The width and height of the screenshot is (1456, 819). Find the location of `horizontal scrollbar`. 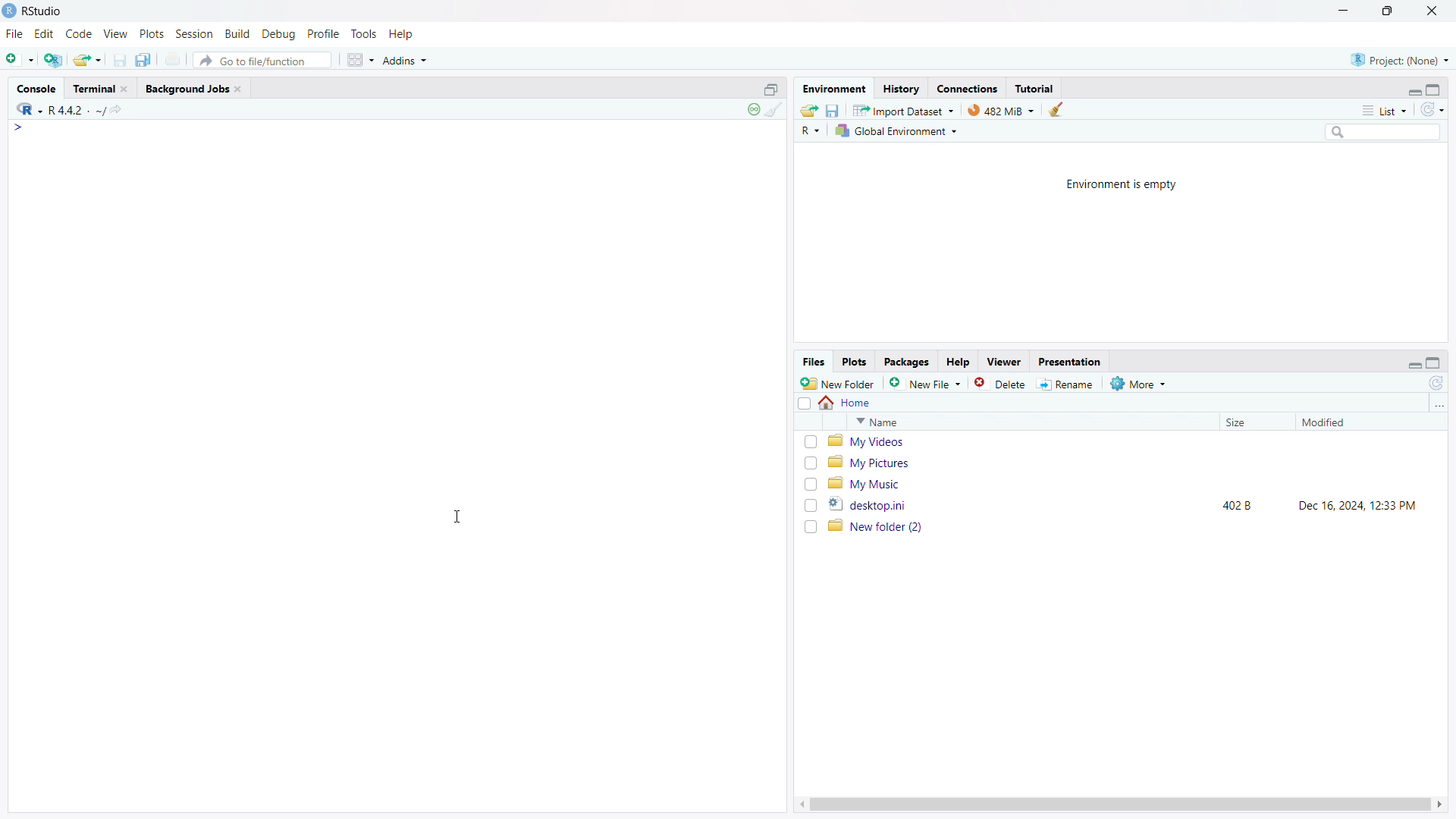

horizontal scrollbar is located at coordinates (1119, 804).